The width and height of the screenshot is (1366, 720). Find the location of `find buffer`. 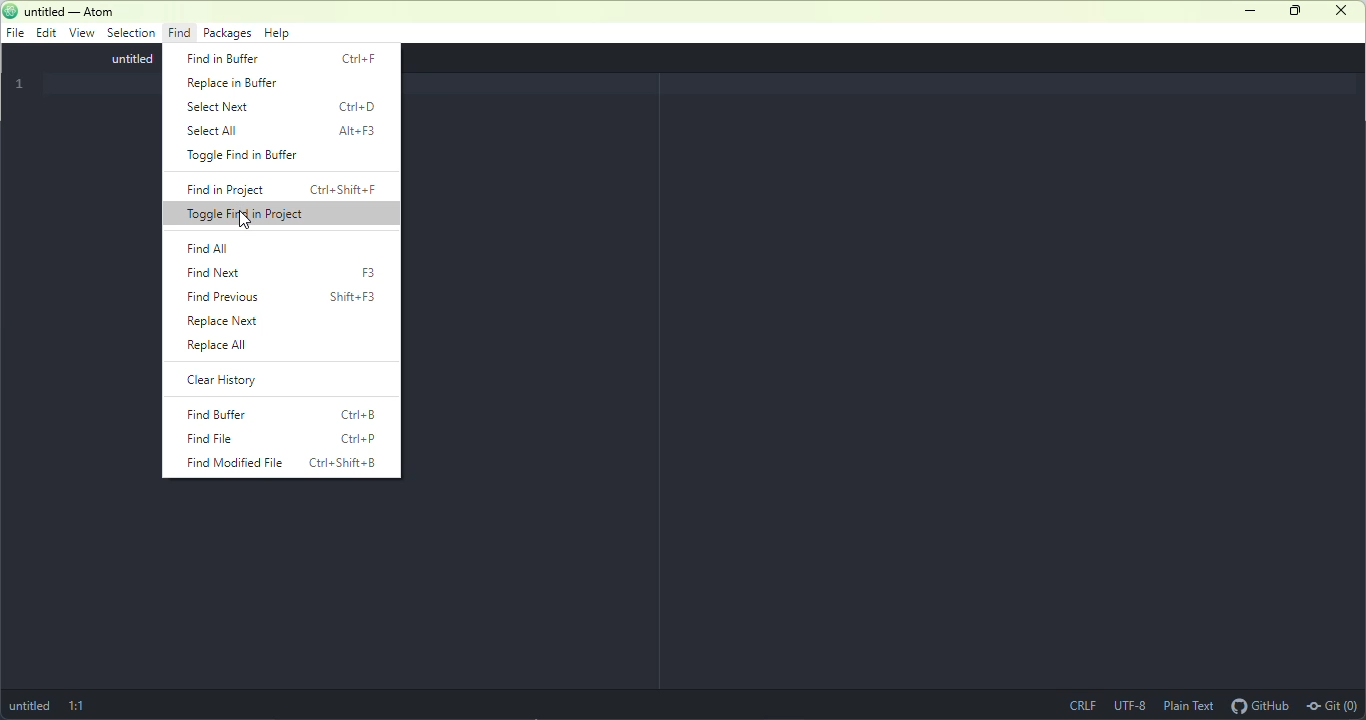

find buffer is located at coordinates (283, 415).